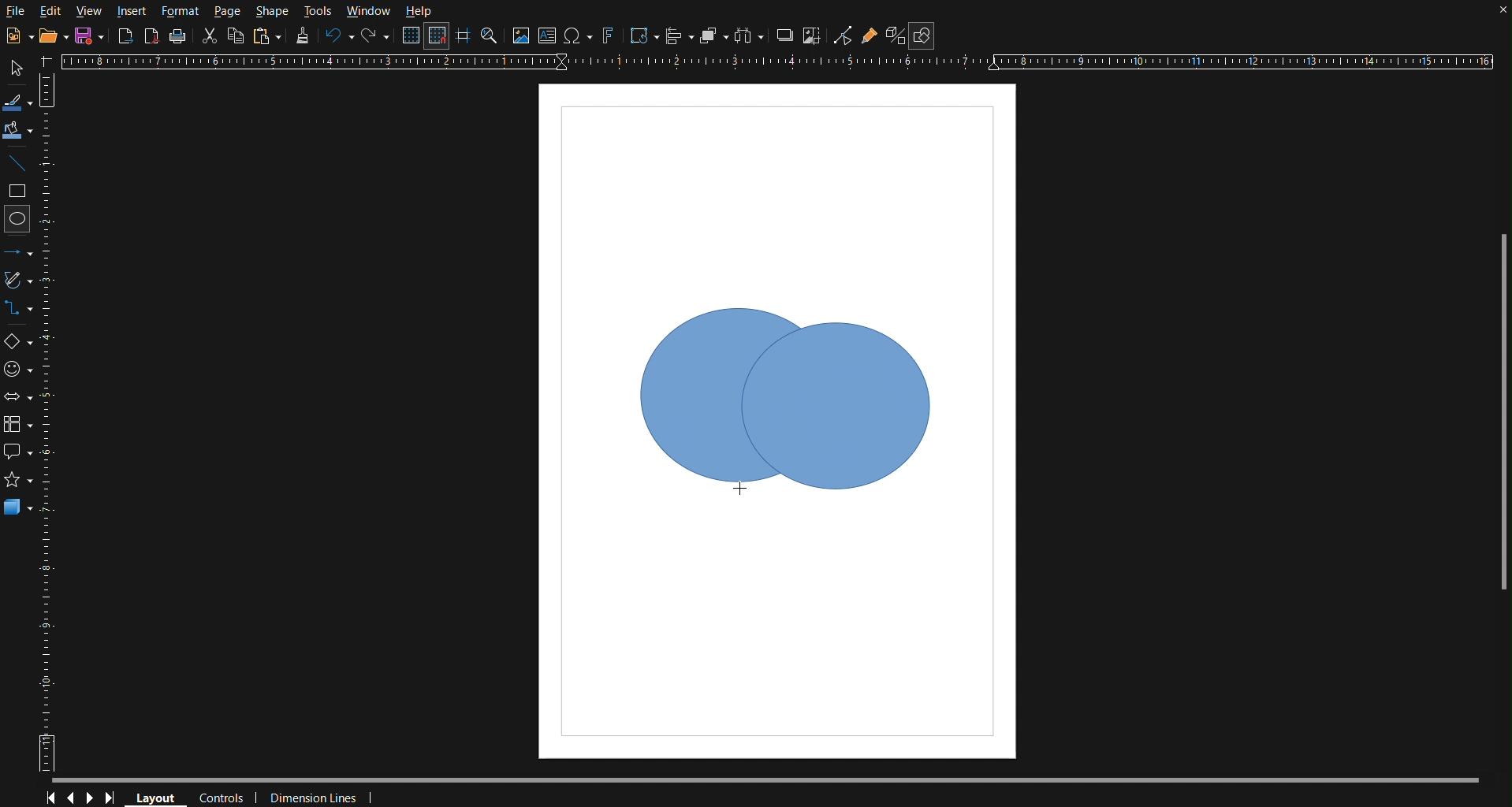 This screenshot has height=807, width=1512. Describe the element at coordinates (153, 37) in the screenshot. I see `Export as PDF` at that location.